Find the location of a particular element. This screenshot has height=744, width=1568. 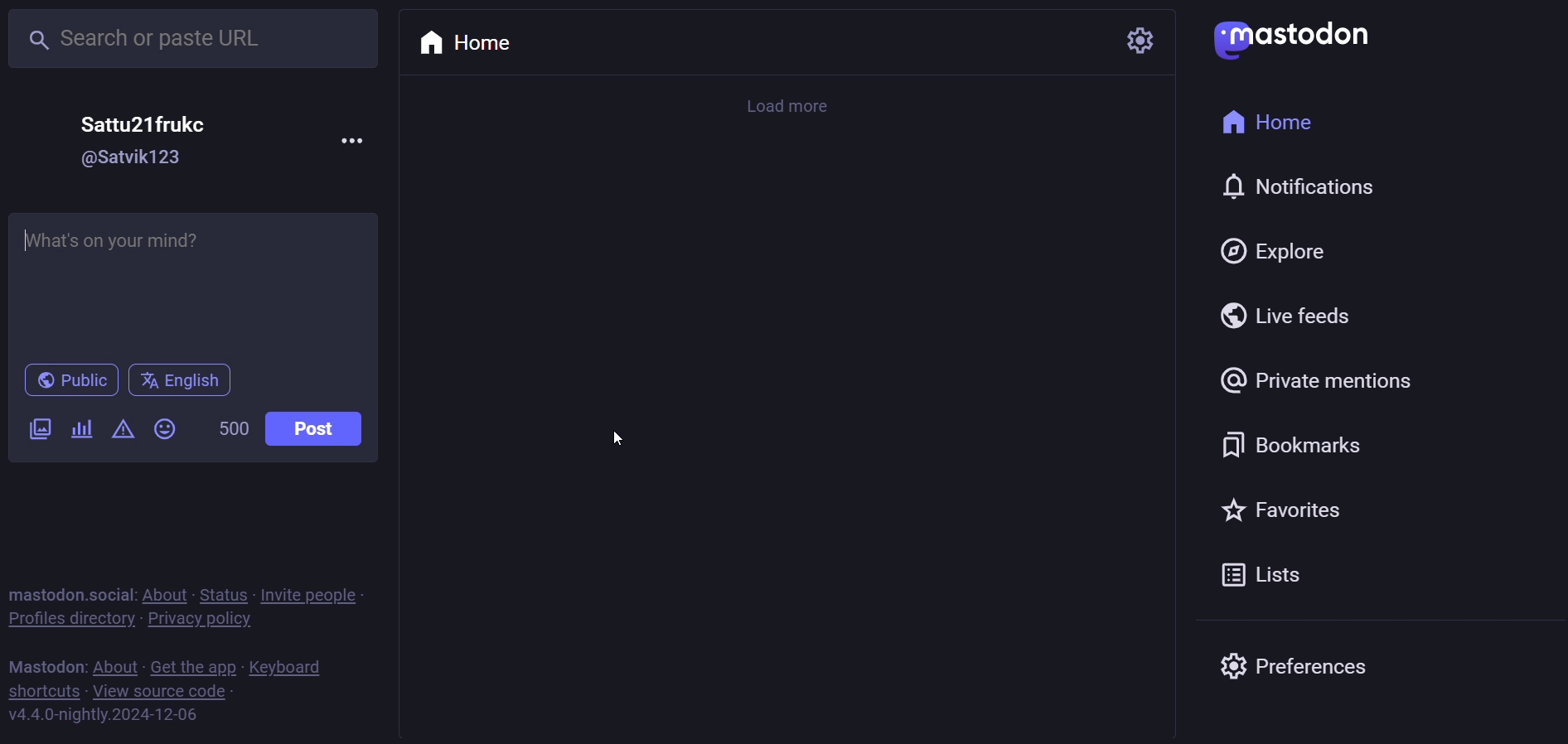

Get the app is located at coordinates (192, 664).